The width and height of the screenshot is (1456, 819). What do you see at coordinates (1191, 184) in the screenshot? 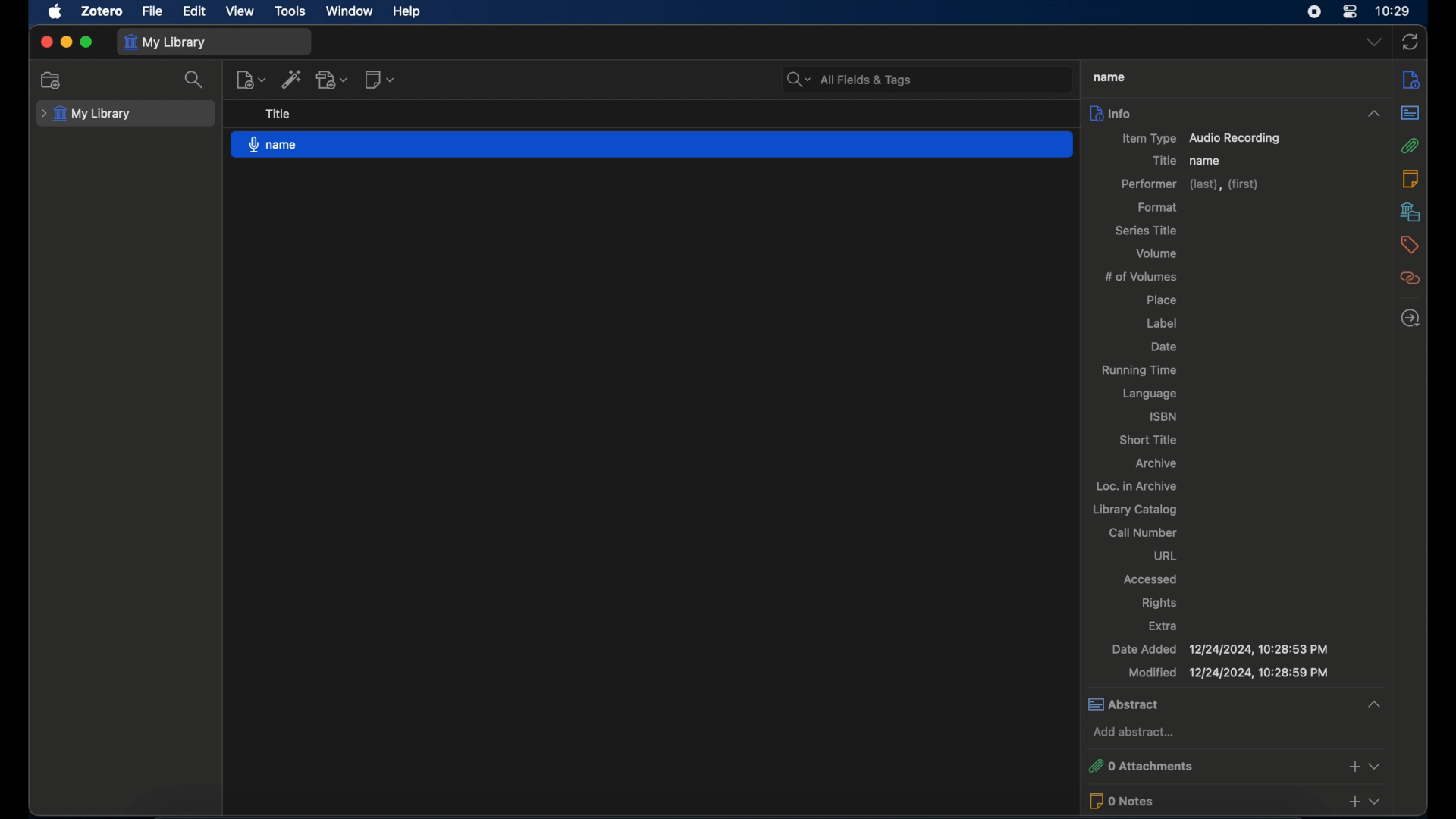
I see `performer` at bounding box center [1191, 184].